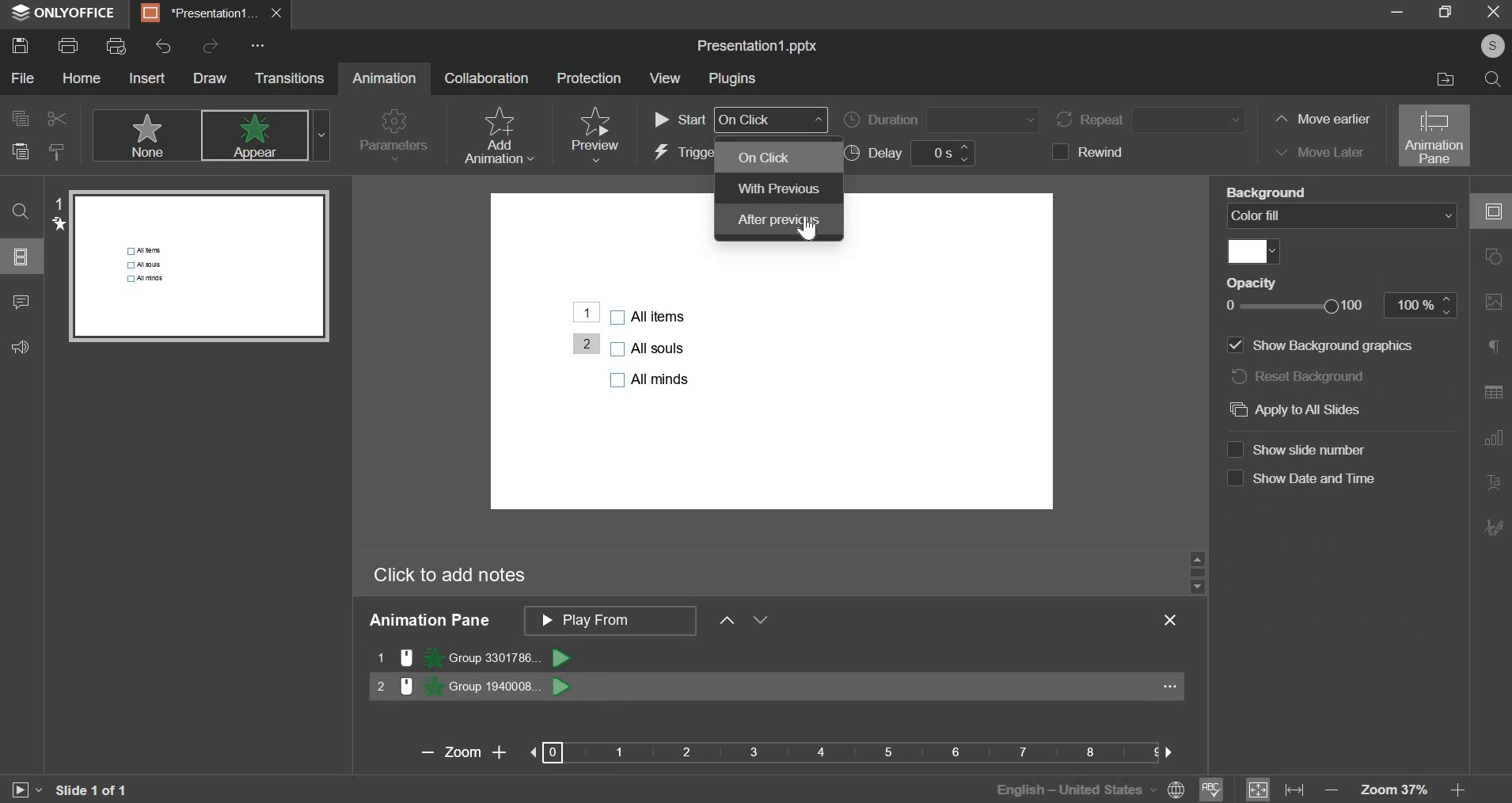  I want to click on copy style, so click(59, 151).